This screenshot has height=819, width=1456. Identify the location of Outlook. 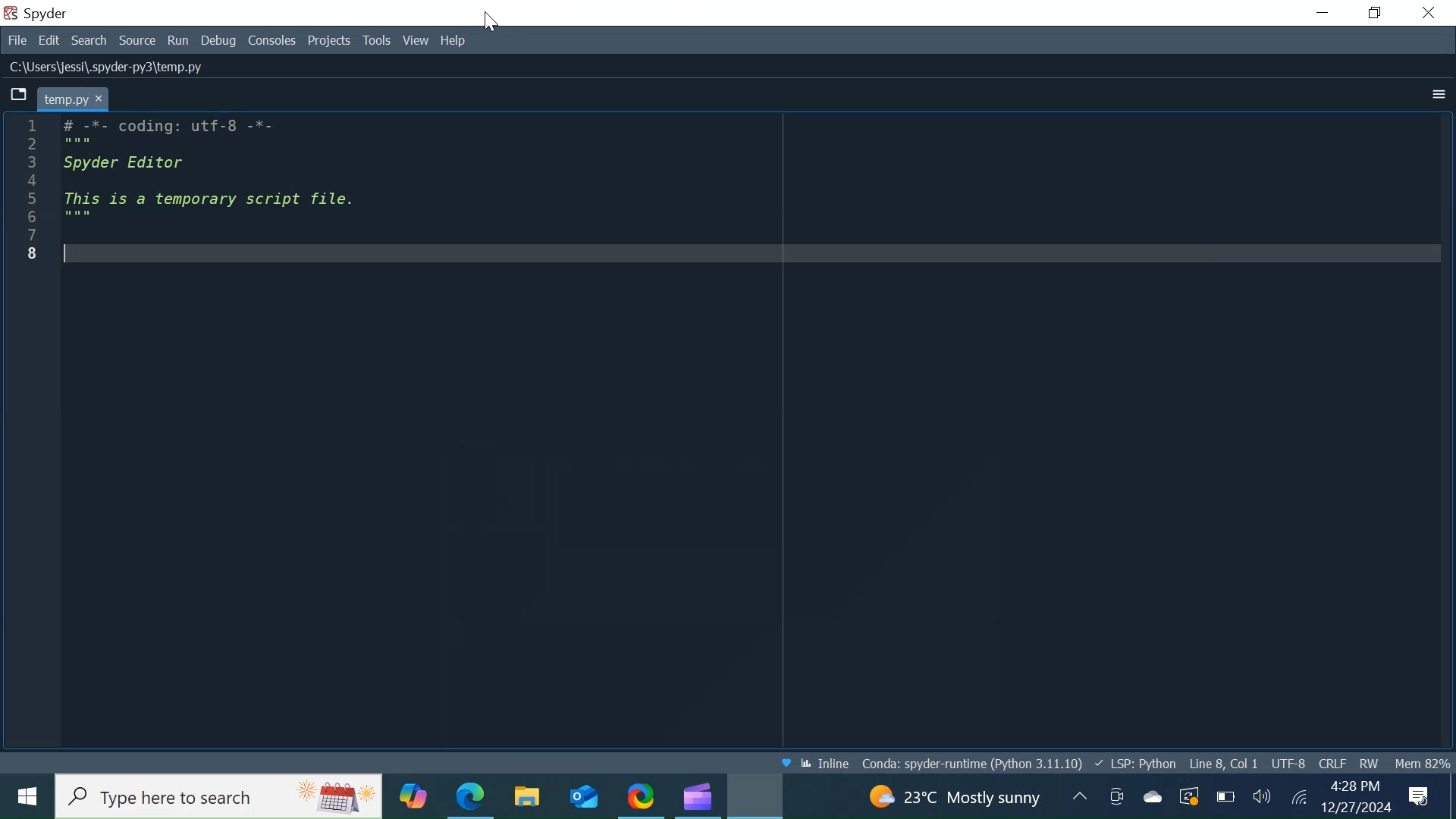
(583, 796).